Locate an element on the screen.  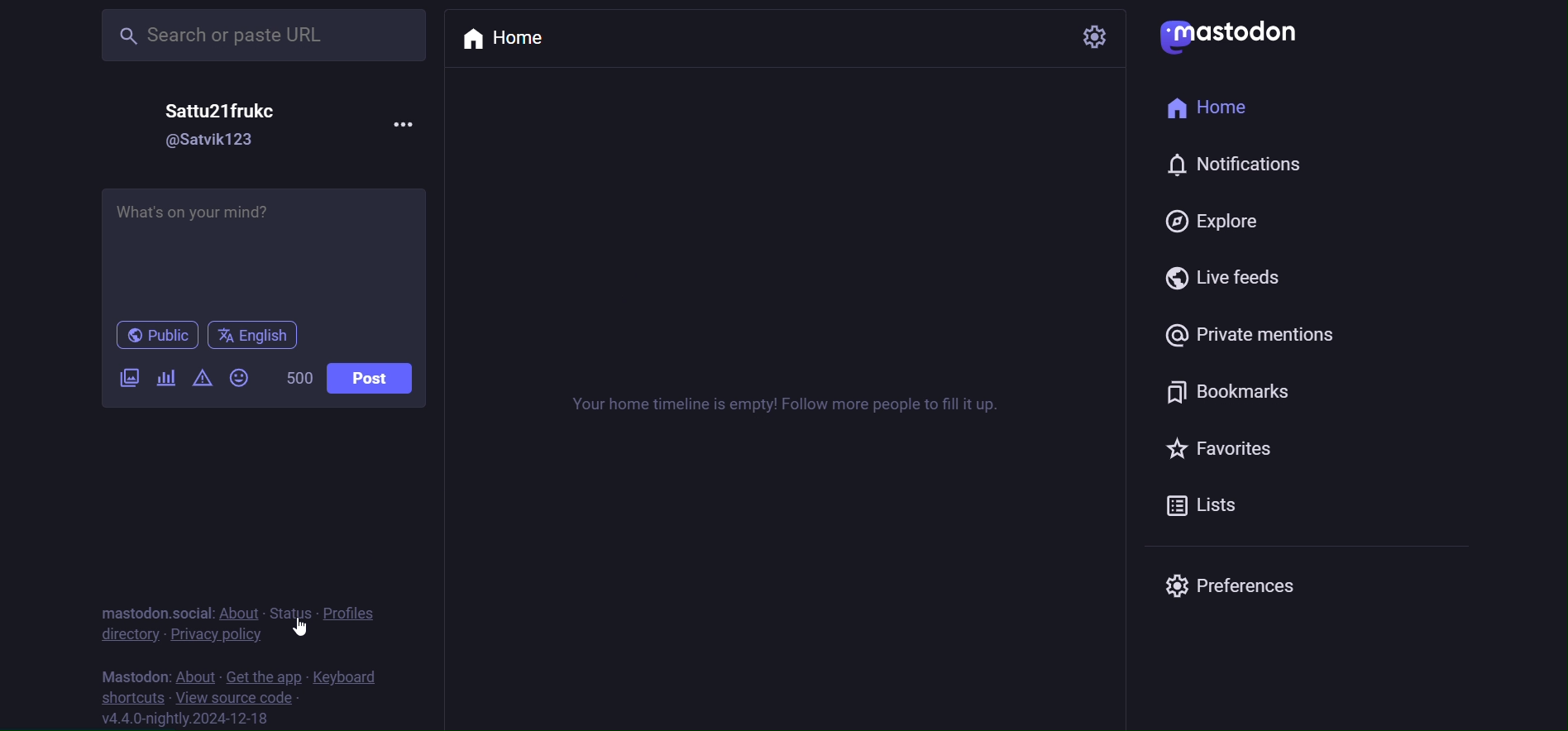
Explore is located at coordinates (1212, 223).